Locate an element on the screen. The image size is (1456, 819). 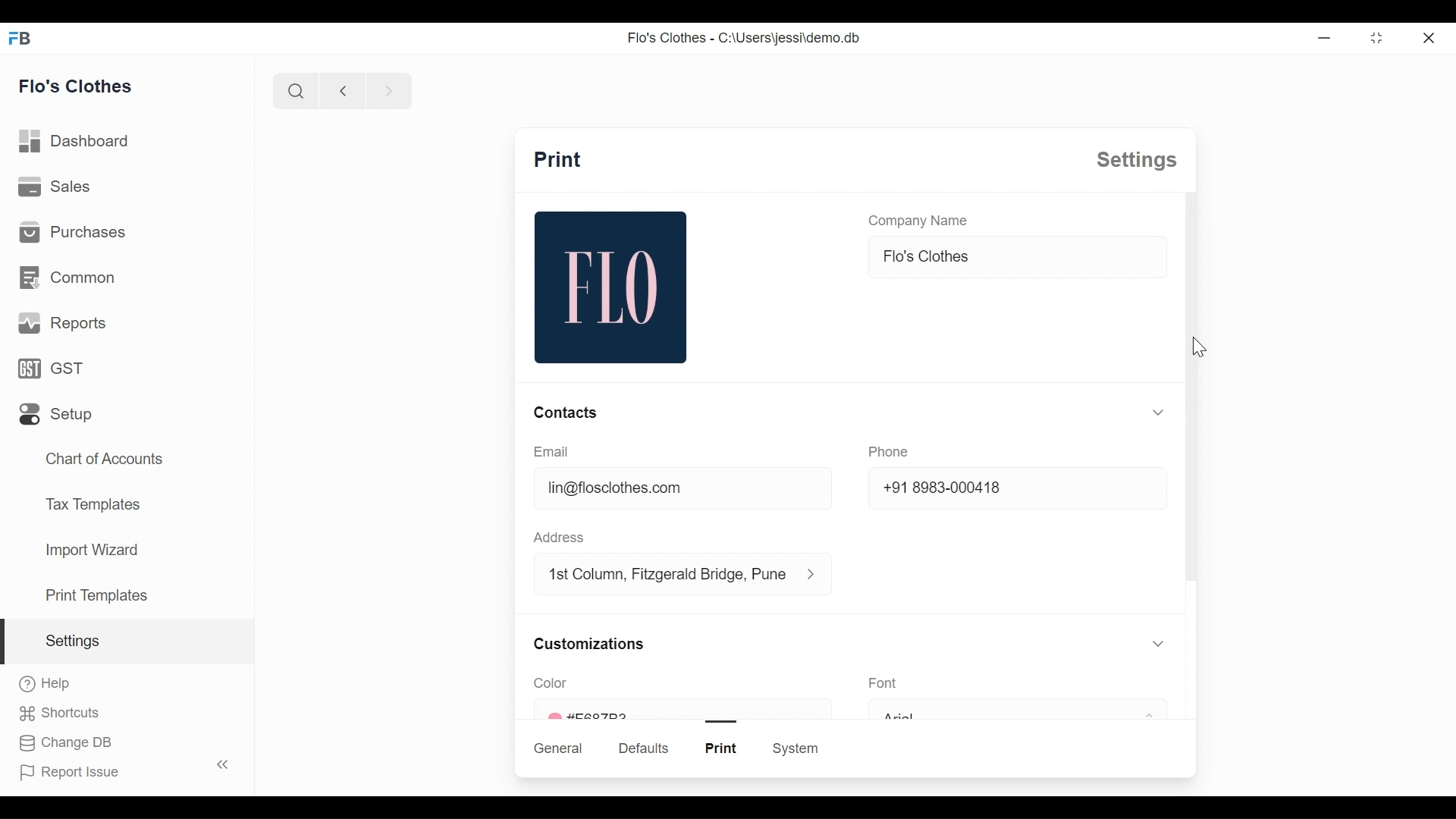
email is located at coordinates (553, 452).